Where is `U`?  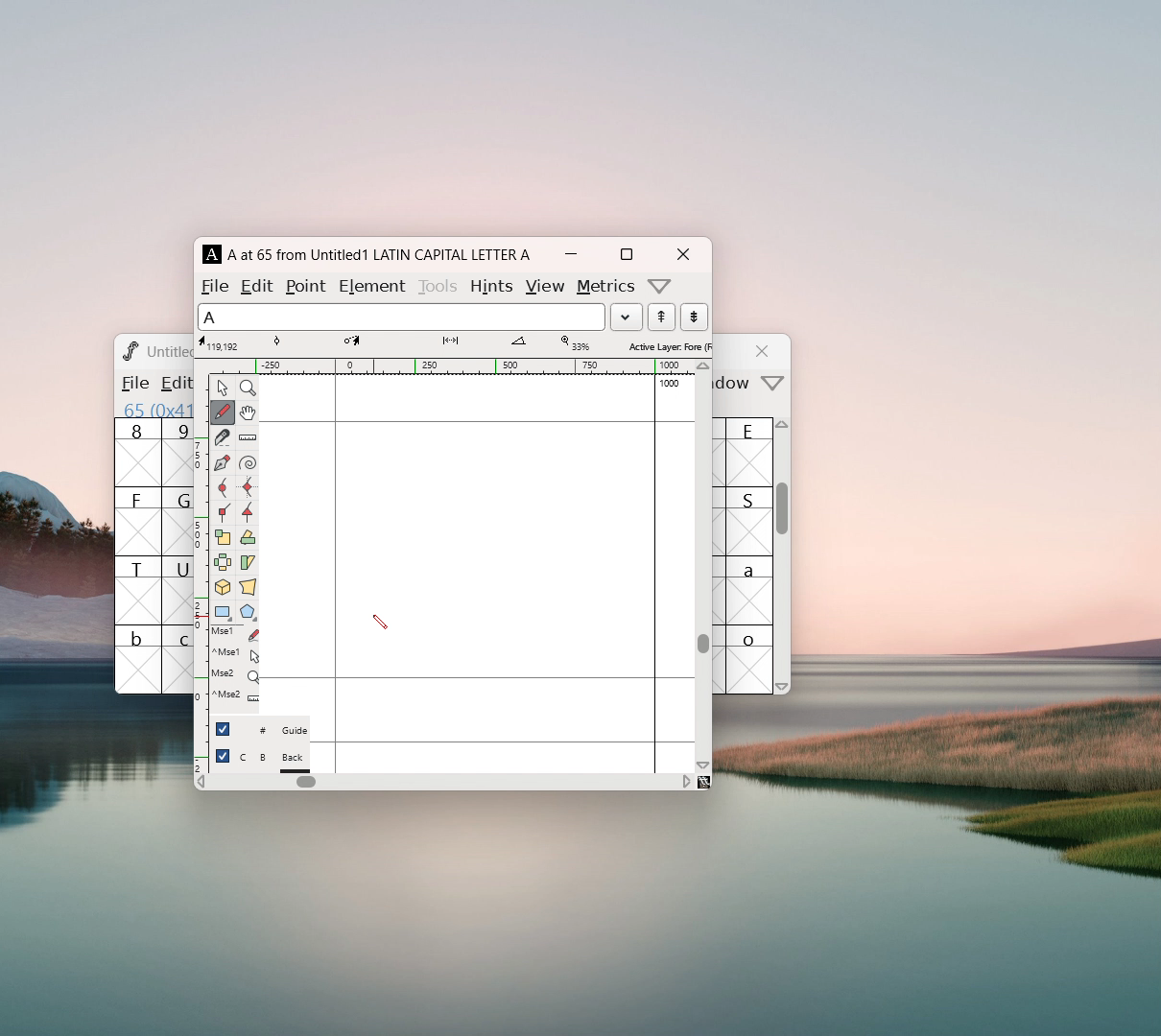 U is located at coordinates (178, 590).